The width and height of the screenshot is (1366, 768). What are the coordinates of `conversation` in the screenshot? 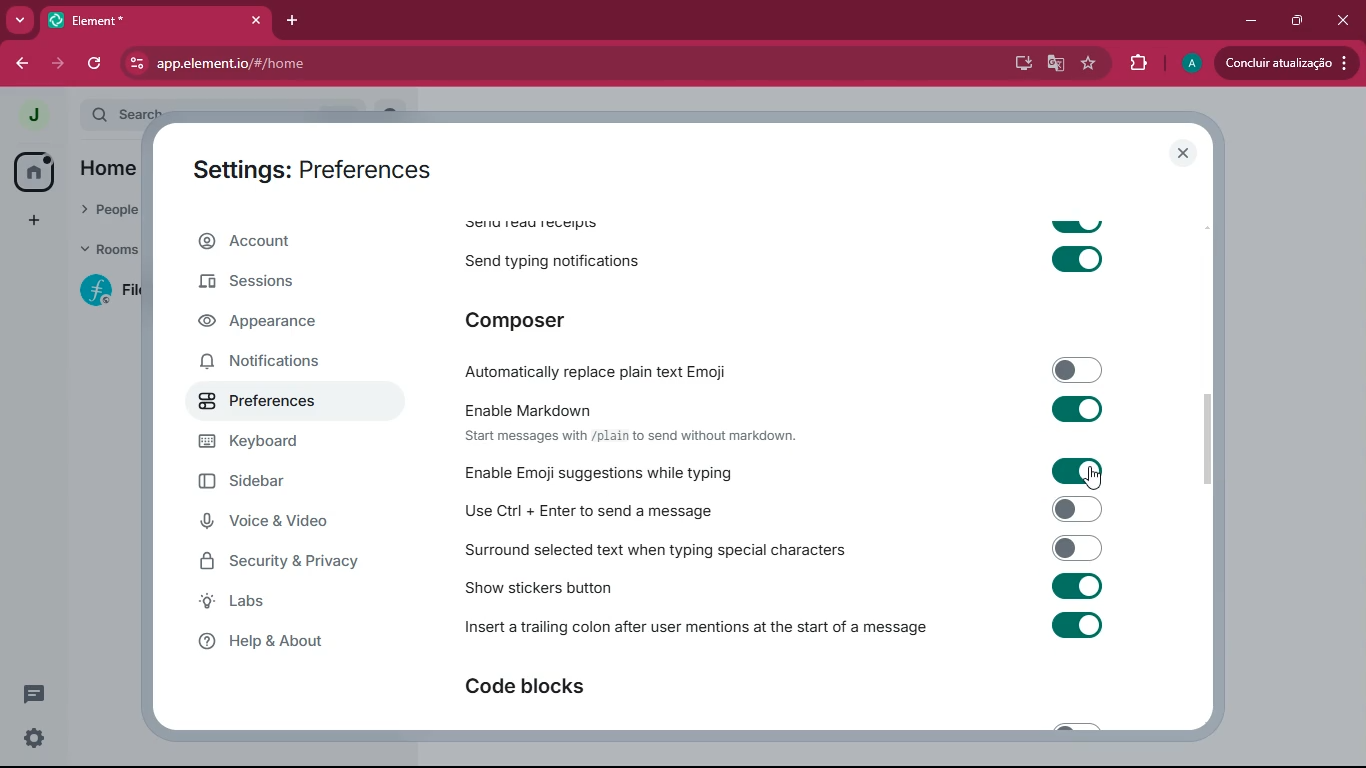 It's located at (38, 693).